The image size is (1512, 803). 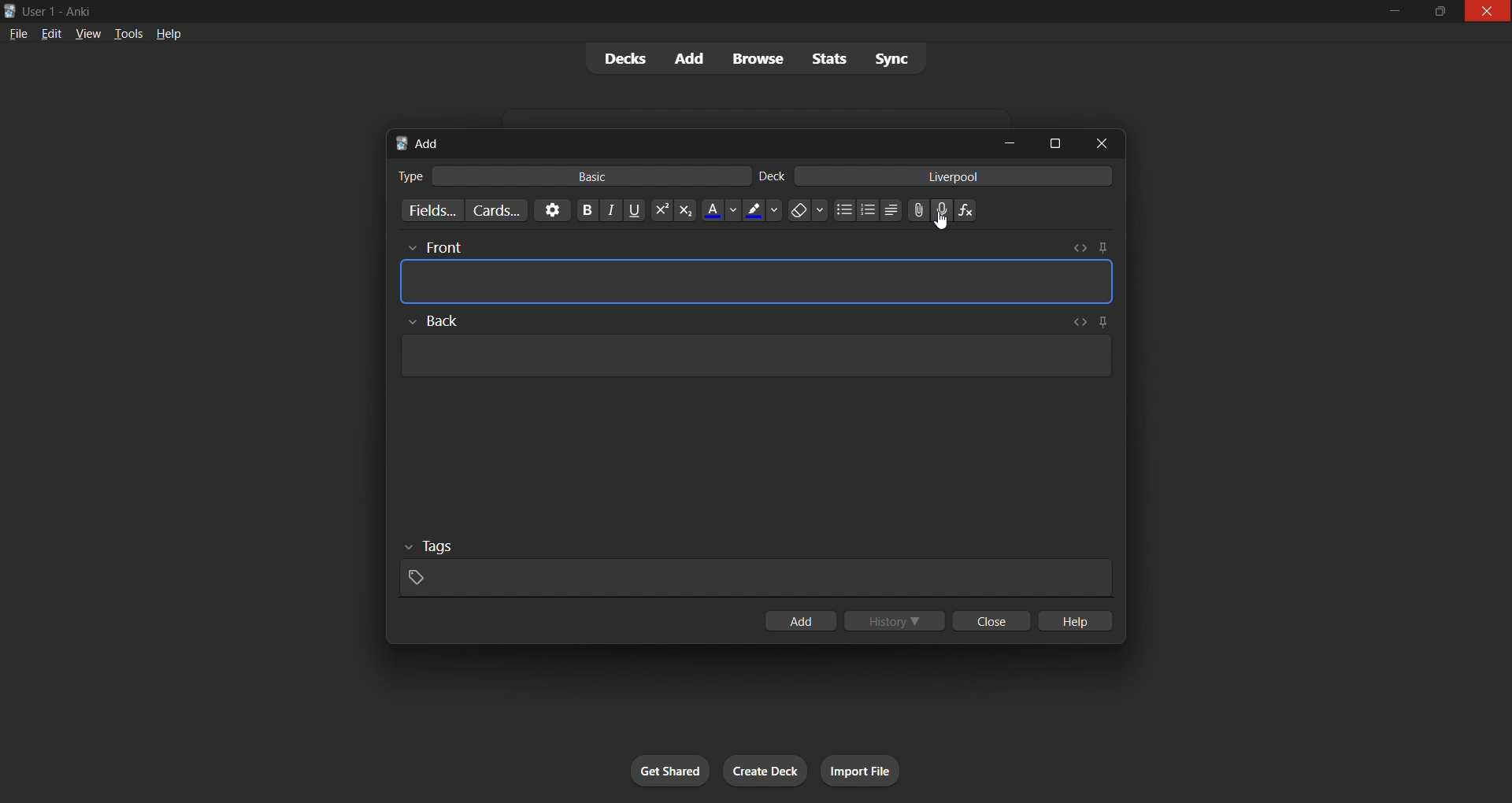 I want to click on basic card type, so click(x=599, y=176).